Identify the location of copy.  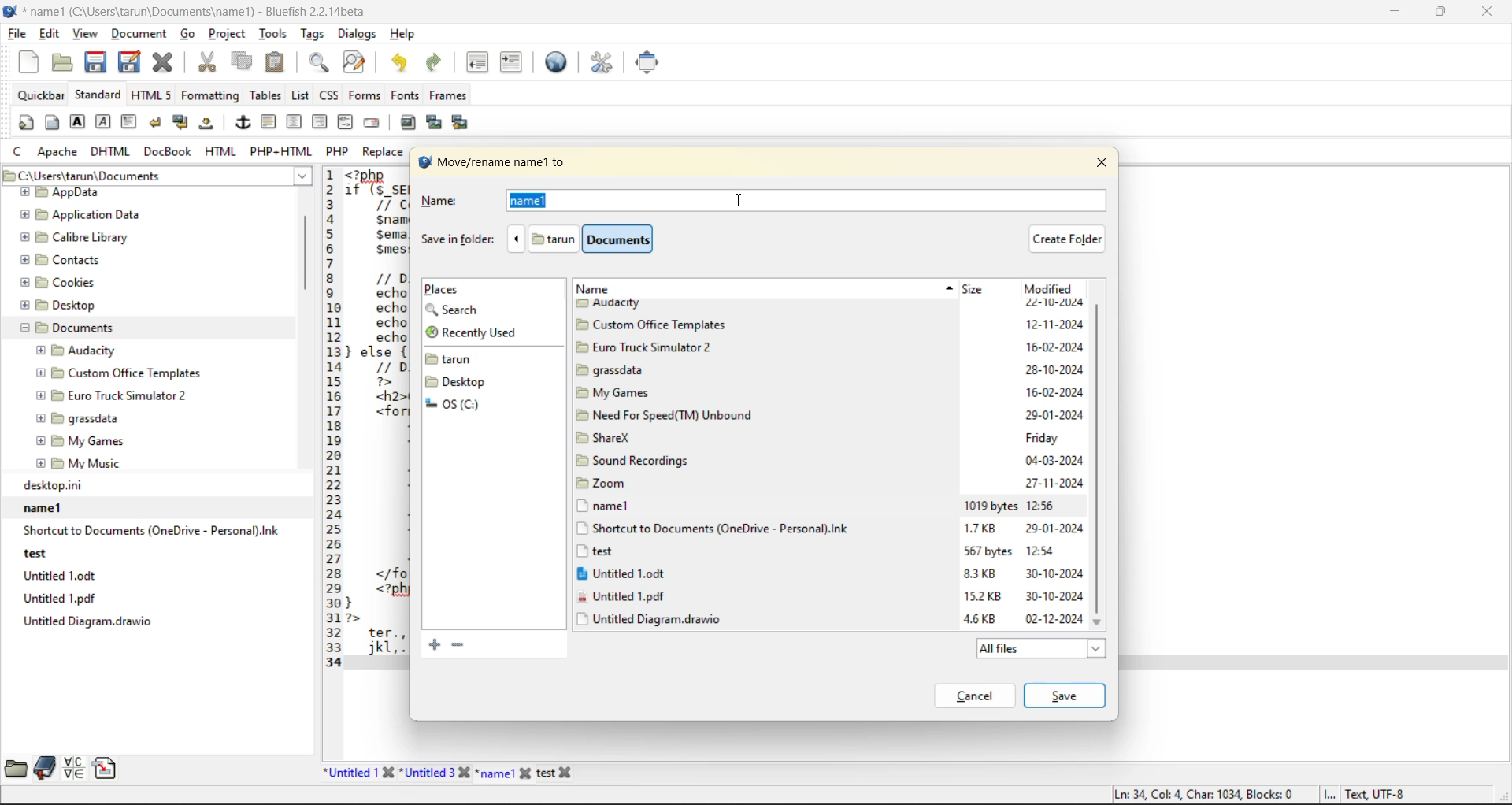
(244, 62).